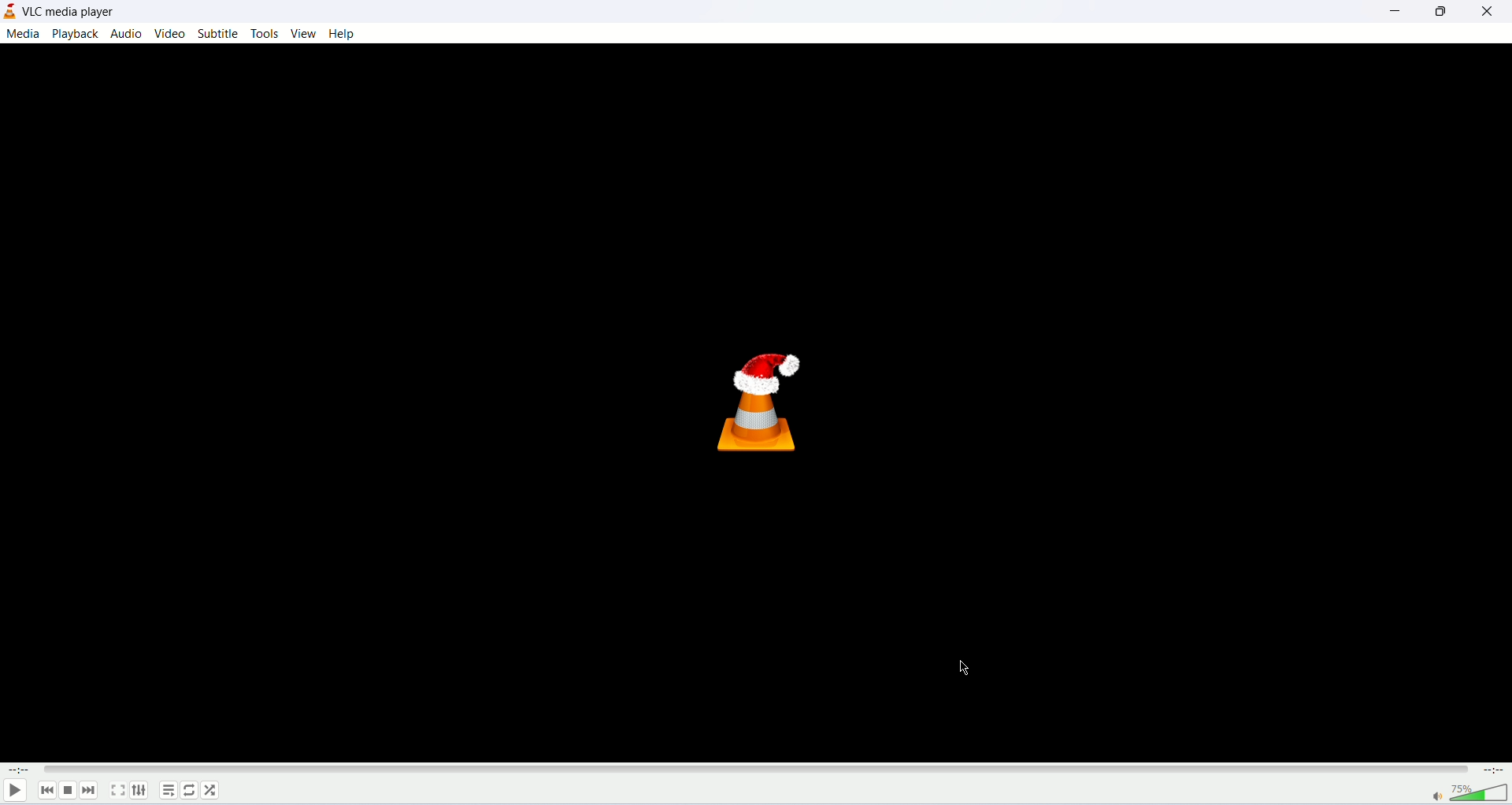 Image resolution: width=1512 pixels, height=805 pixels. What do you see at coordinates (1469, 794) in the screenshot?
I see `volume bar` at bounding box center [1469, 794].